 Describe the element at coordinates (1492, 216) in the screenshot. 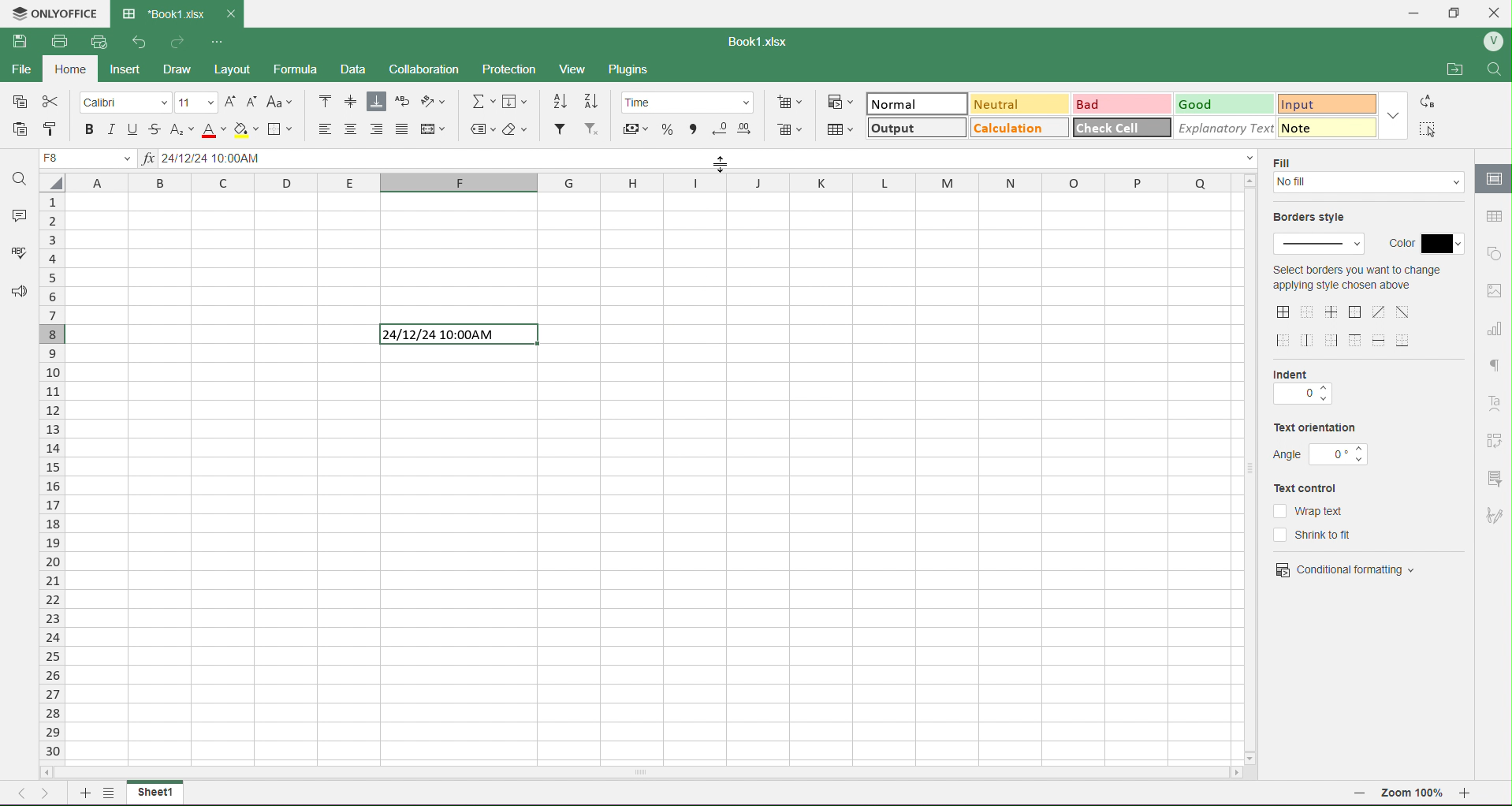

I see `table` at that location.